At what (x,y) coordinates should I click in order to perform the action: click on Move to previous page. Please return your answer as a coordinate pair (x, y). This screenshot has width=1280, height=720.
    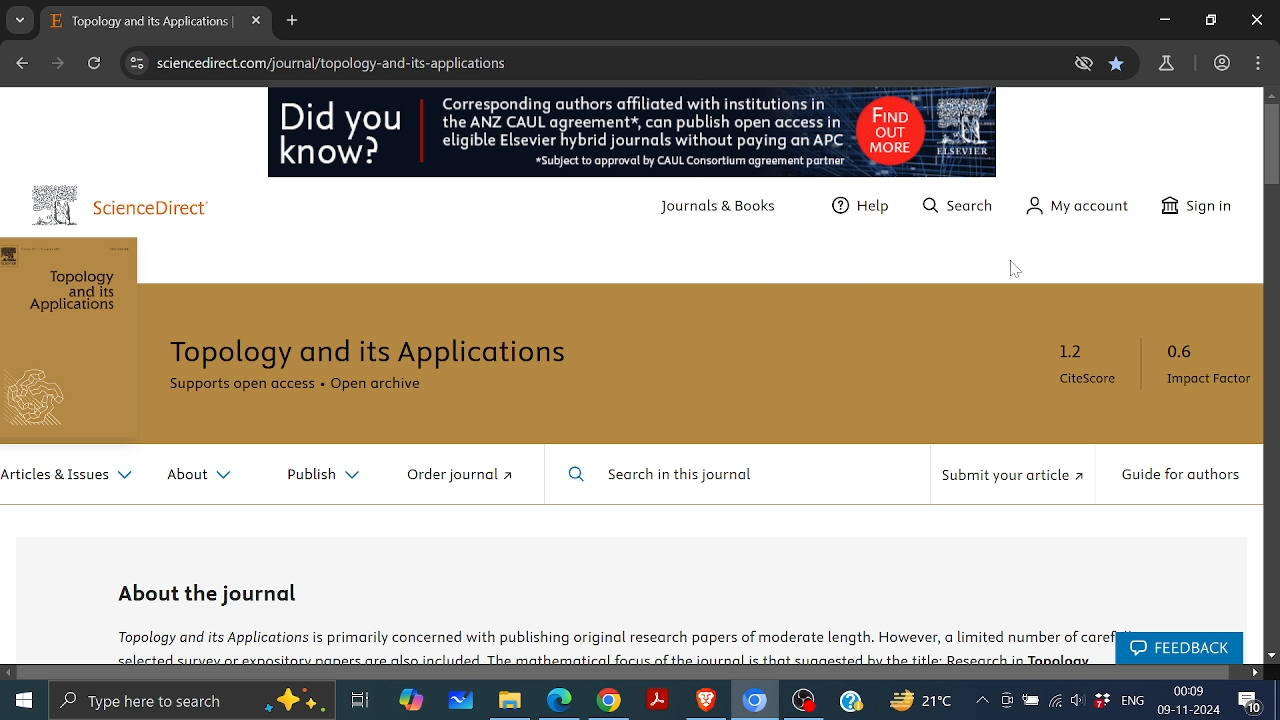
    Looking at the image, I should click on (21, 61).